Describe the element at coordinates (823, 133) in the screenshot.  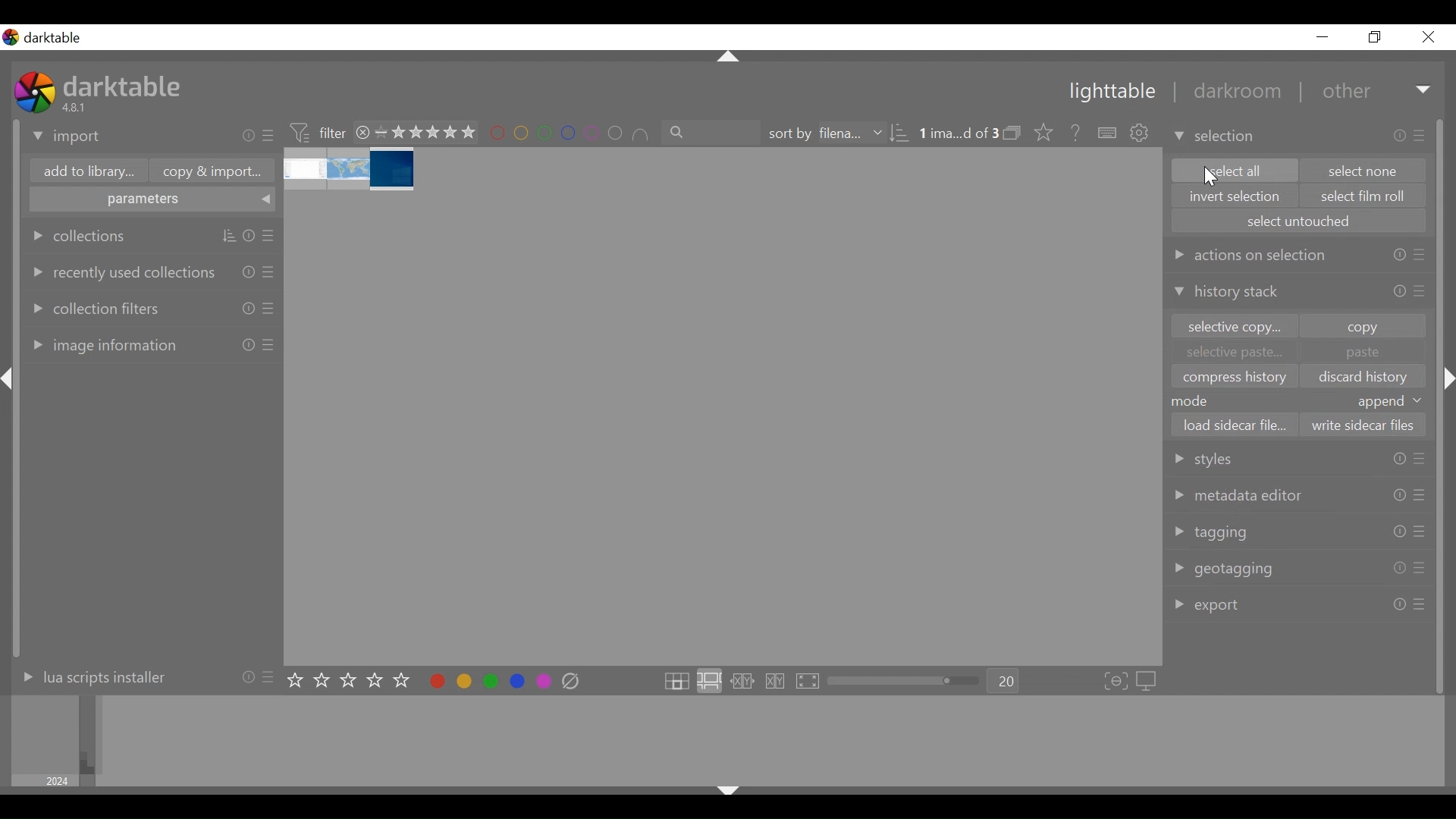
I see `sort by` at that location.